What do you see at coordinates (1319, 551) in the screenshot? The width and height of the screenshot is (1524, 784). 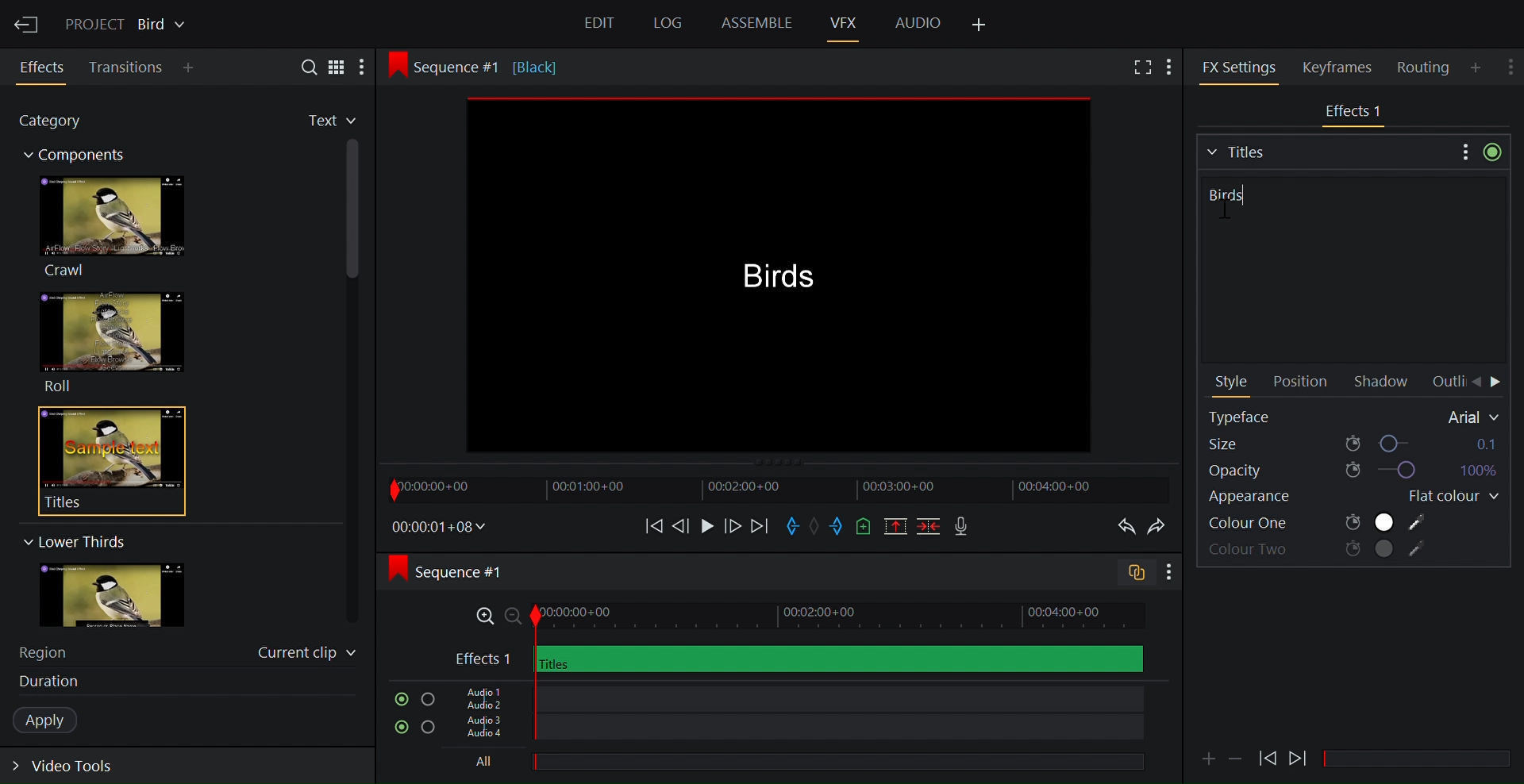 I see `Color two` at bounding box center [1319, 551].